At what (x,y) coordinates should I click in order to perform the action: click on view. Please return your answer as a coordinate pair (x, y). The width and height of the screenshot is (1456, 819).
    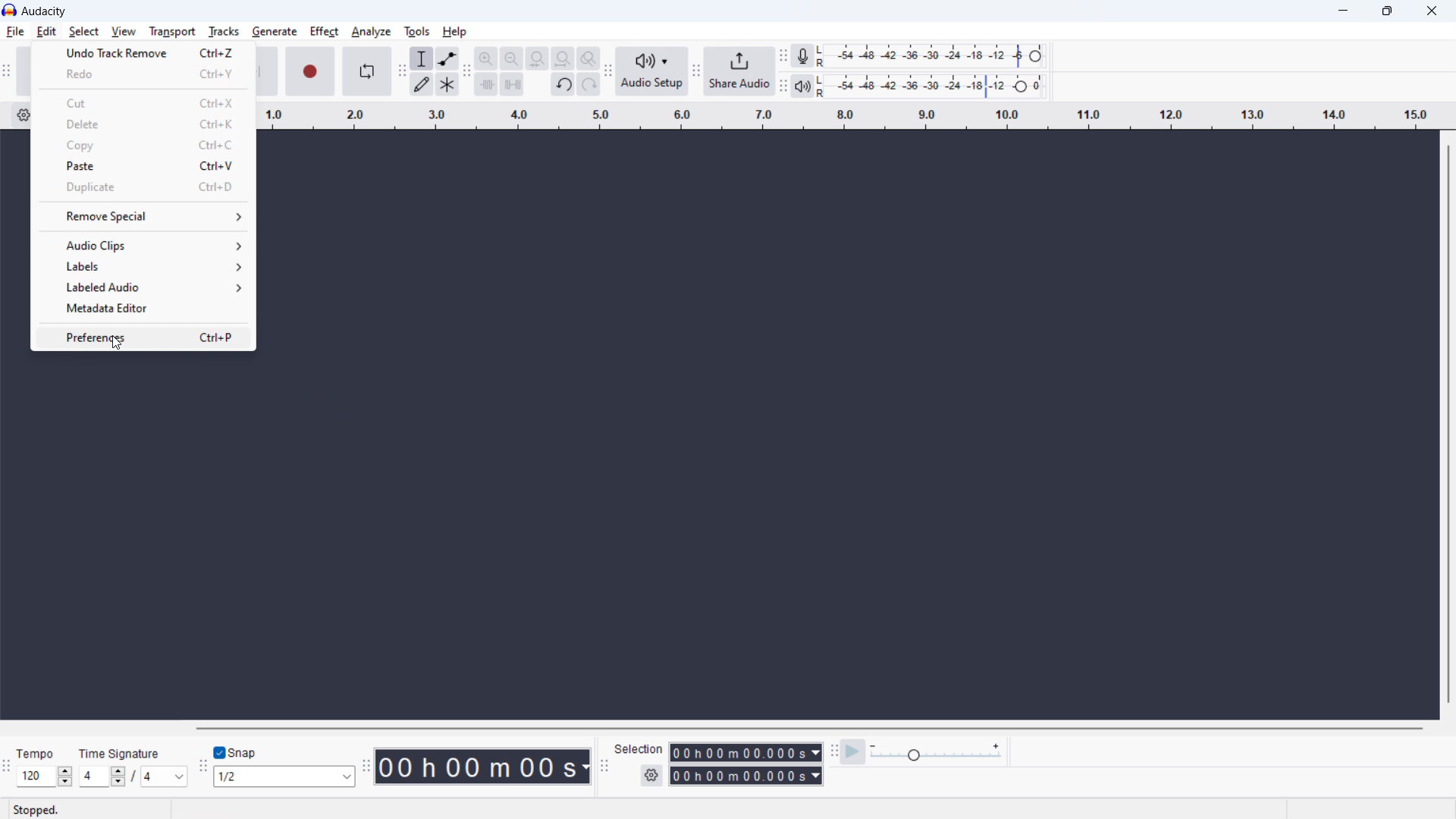
    Looking at the image, I should click on (124, 31).